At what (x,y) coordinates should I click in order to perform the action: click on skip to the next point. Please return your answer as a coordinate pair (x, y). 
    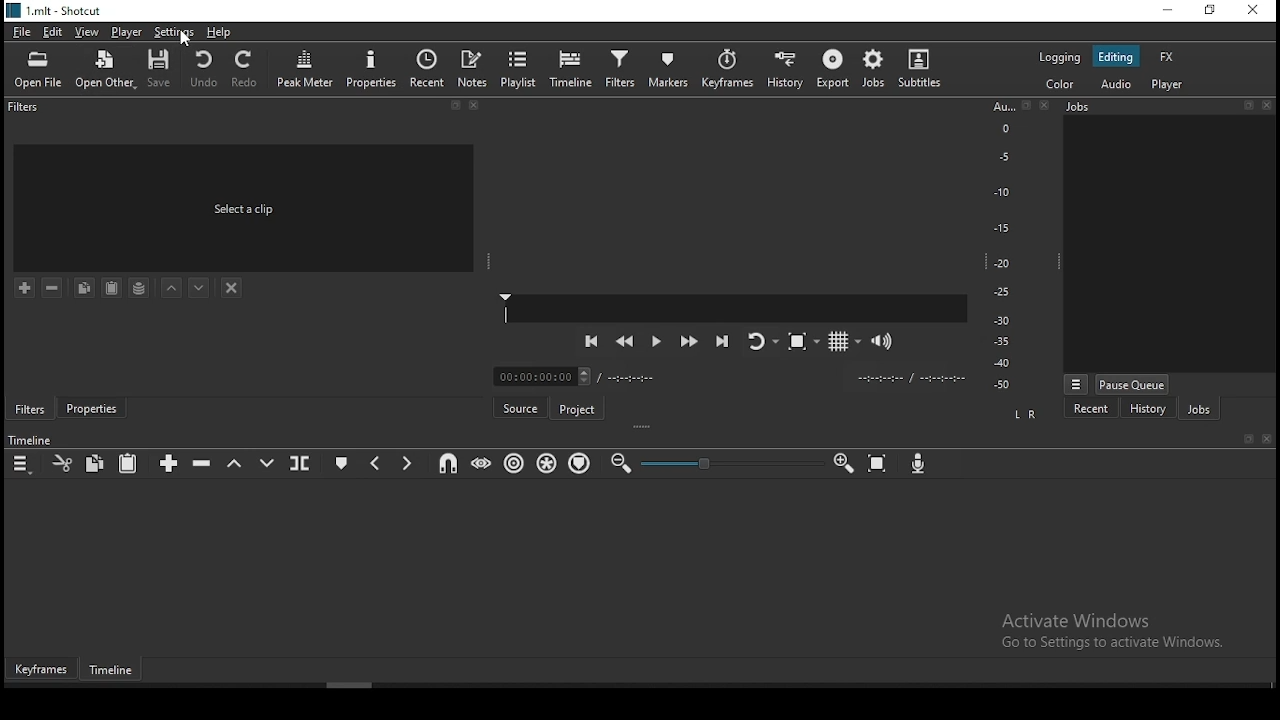
    Looking at the image, I should click on (723, 340).